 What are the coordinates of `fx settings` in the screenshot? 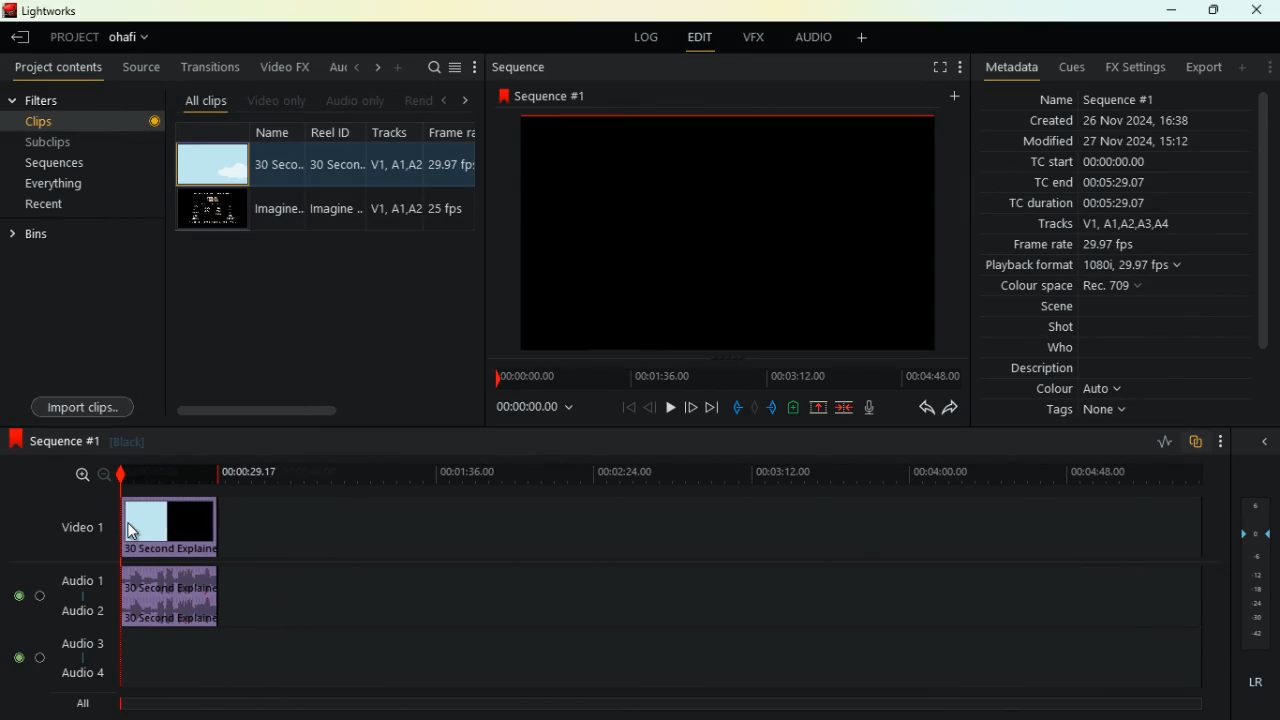 It's located at (1130, 68).